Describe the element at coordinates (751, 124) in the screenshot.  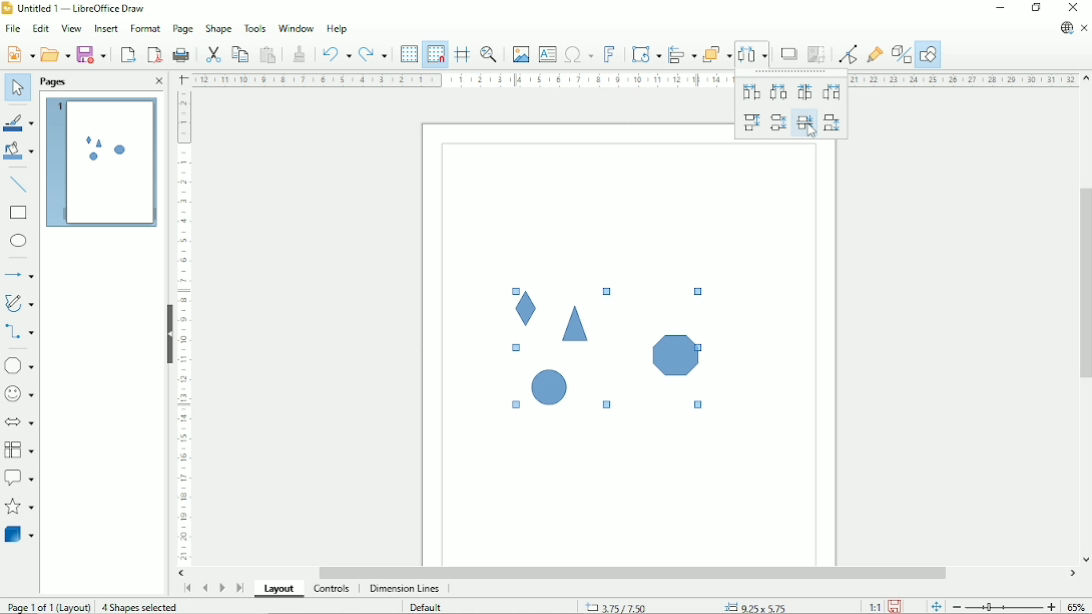
I see `Vertically top` at that location.